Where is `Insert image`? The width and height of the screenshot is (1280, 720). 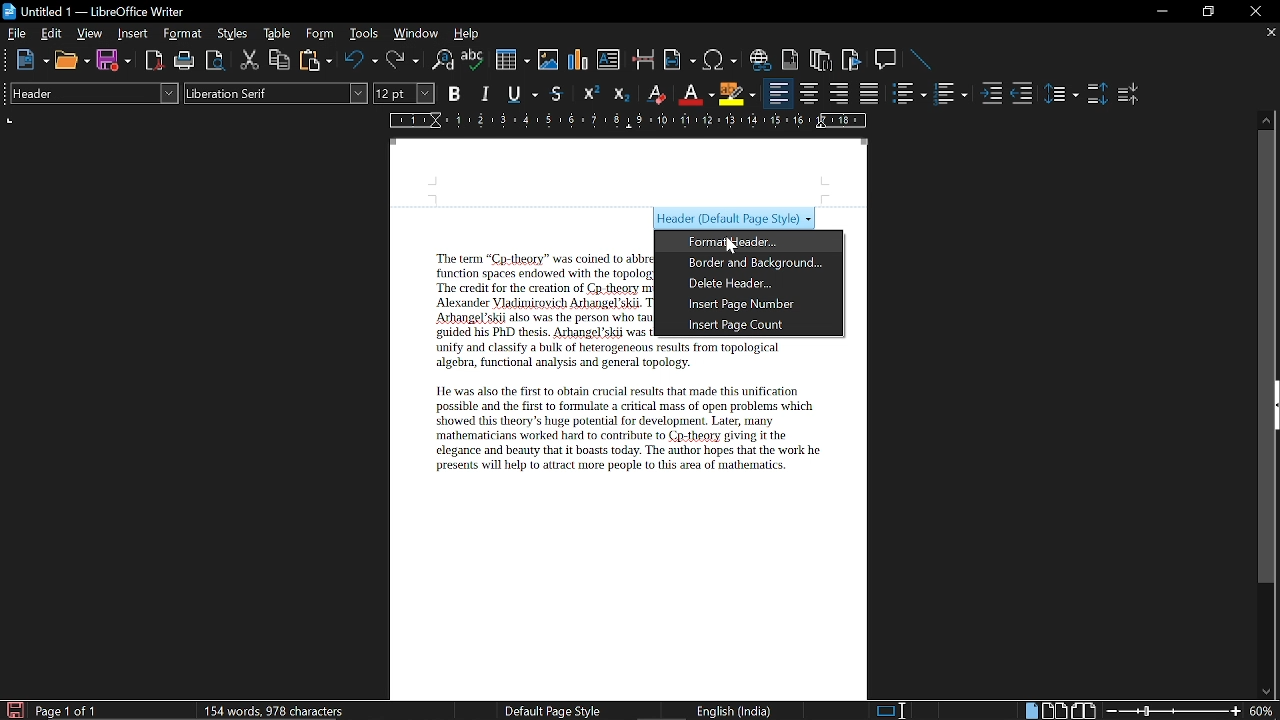 Insert image is located at coordinates (550, 59).